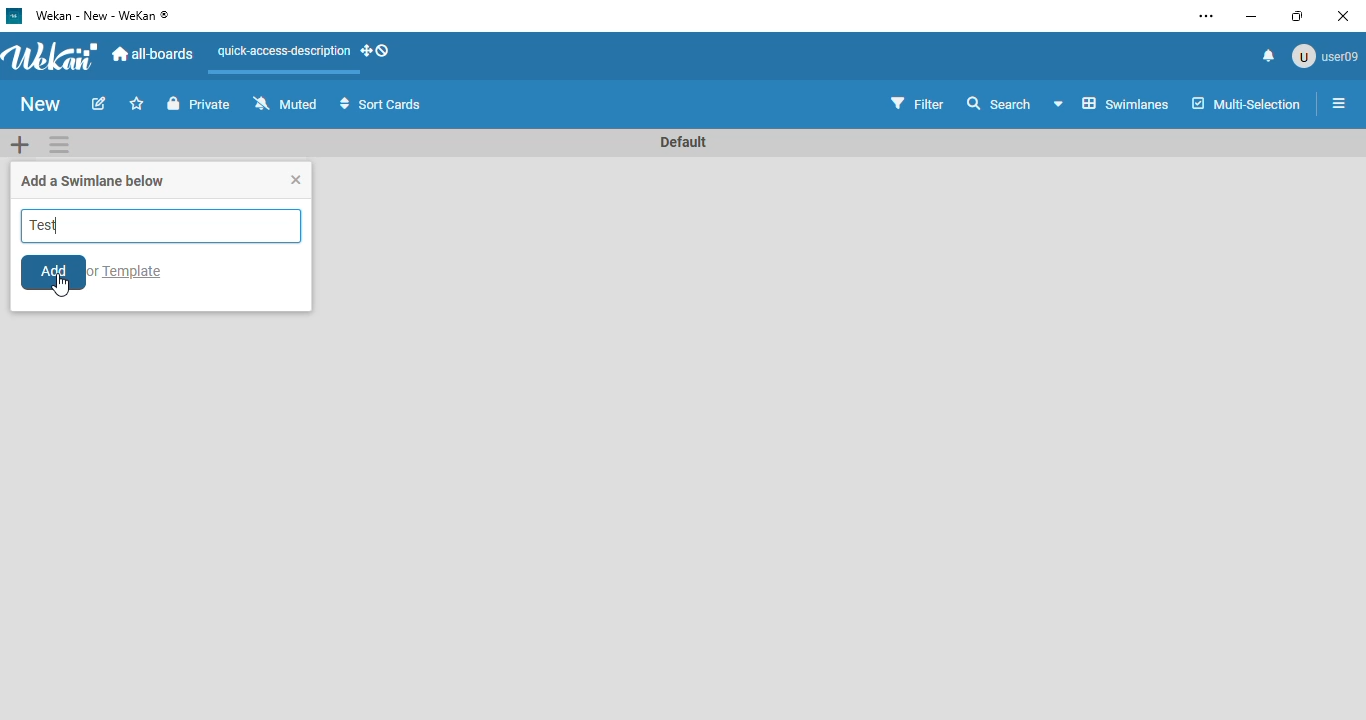  I want to click on or, so click(95, 272).